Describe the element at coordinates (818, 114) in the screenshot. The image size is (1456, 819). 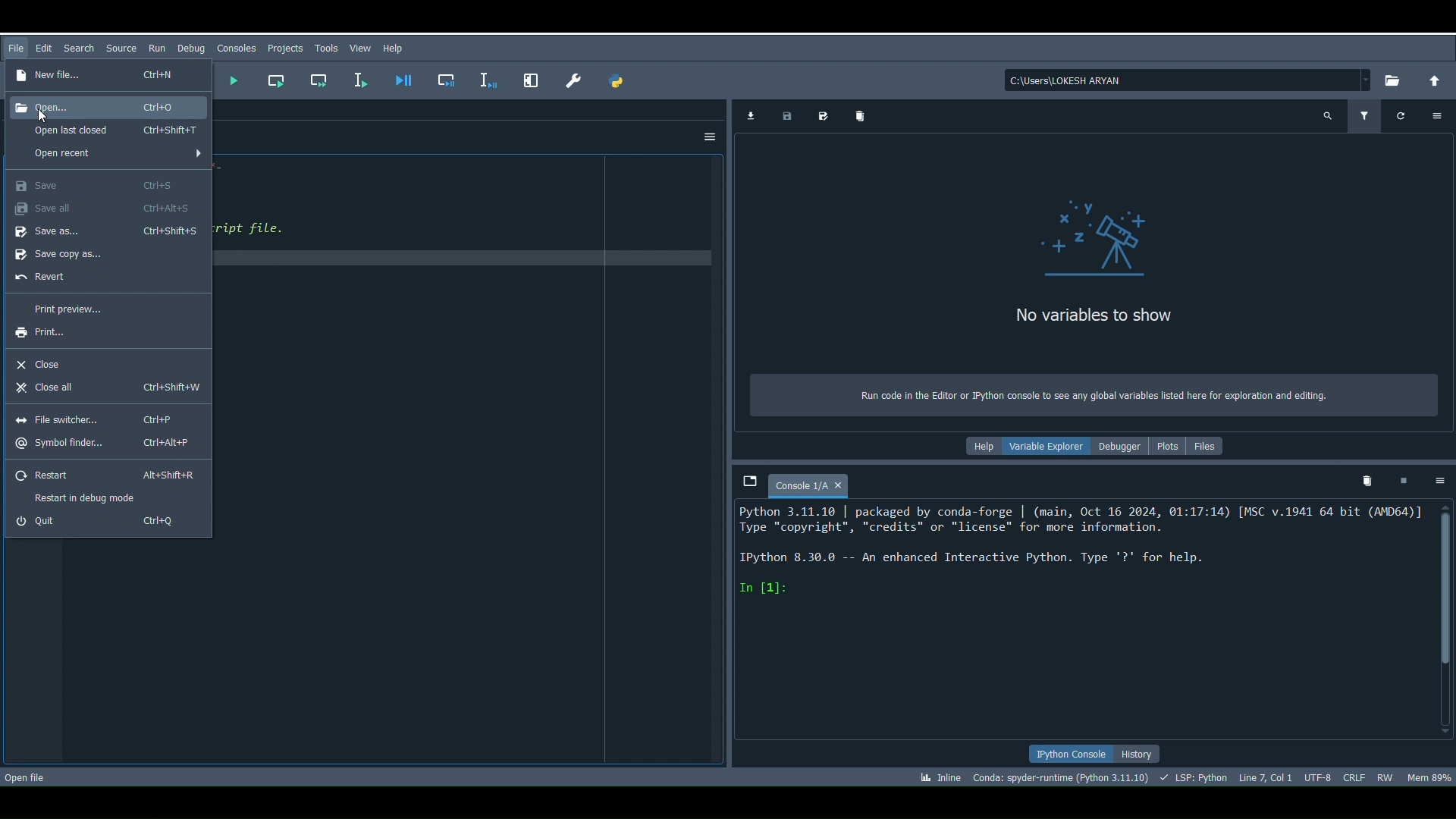
I see `Save data as` at that location.